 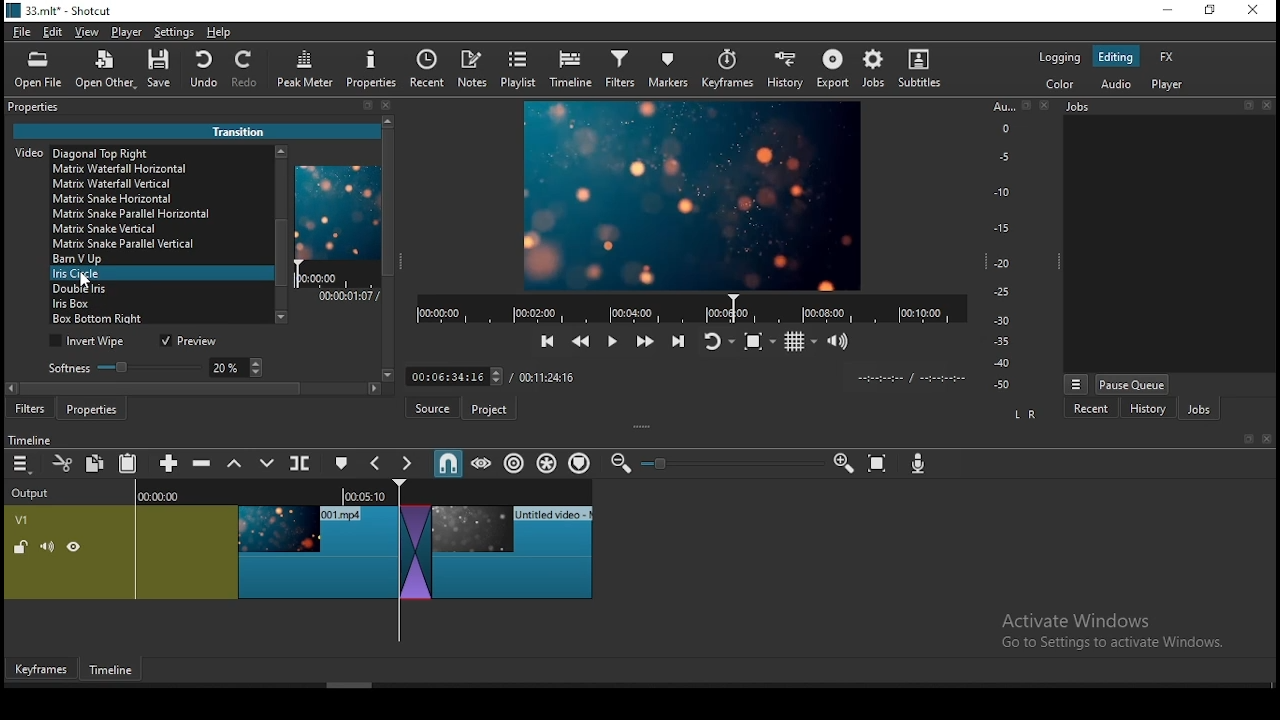 I want to click on timeline, so click(x=33, y=439).